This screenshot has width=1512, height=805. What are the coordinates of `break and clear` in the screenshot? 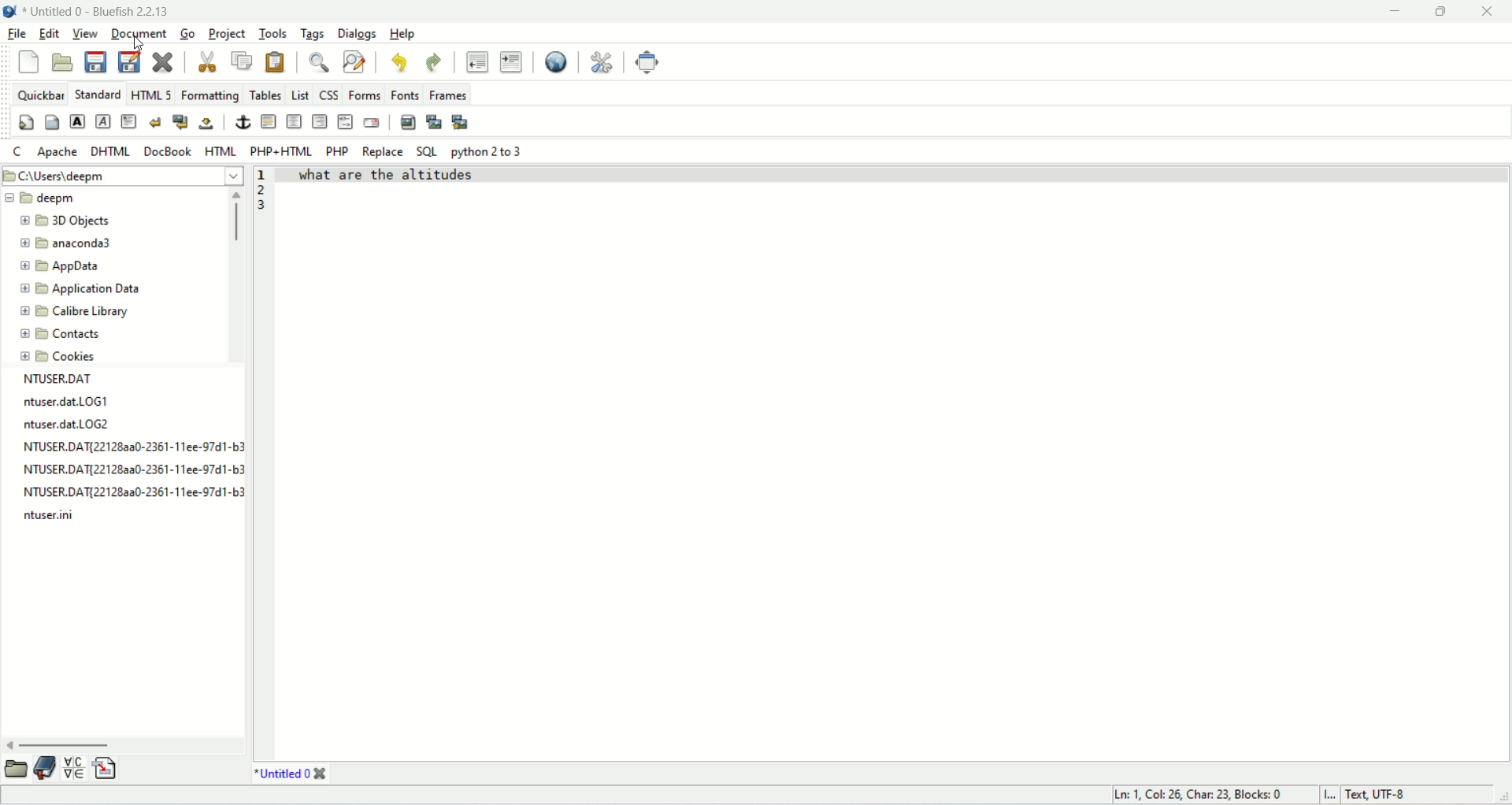 It's located at (180, 122).